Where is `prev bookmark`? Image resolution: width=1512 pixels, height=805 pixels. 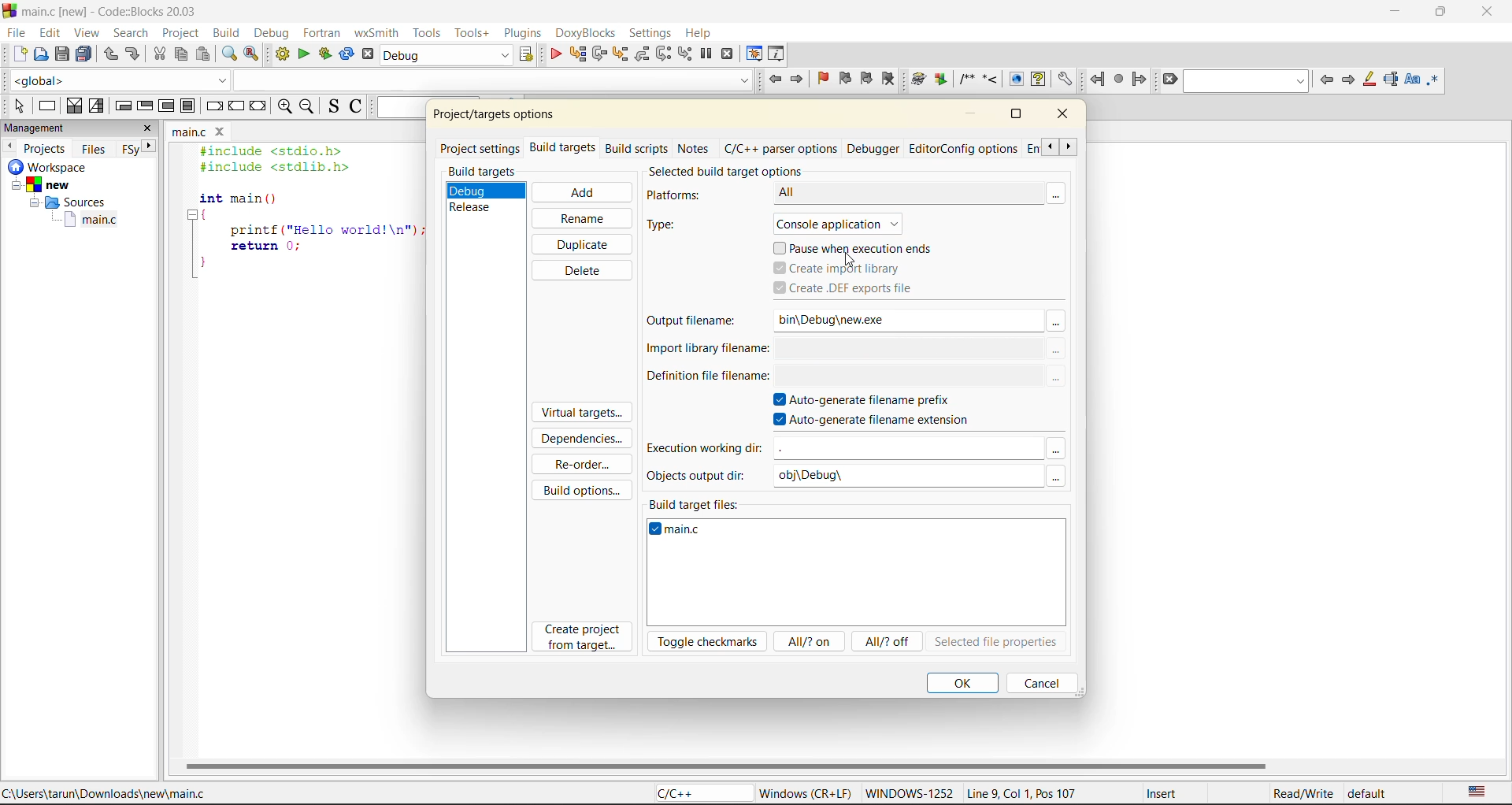
prev bookmark is located at coordinates (845, 80).